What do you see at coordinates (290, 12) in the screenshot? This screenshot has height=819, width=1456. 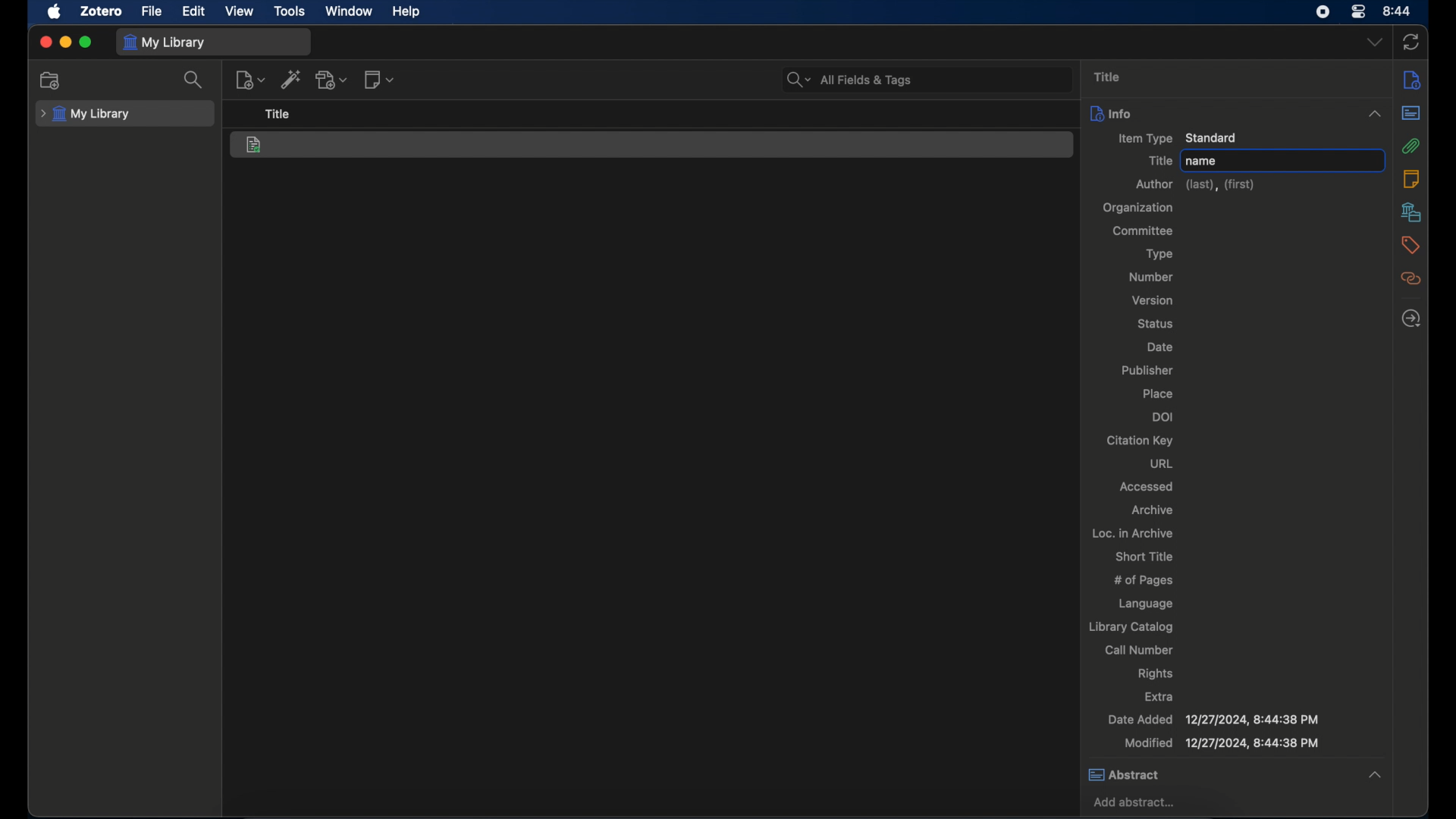 I see `tools` at bounding box center [290, 12].